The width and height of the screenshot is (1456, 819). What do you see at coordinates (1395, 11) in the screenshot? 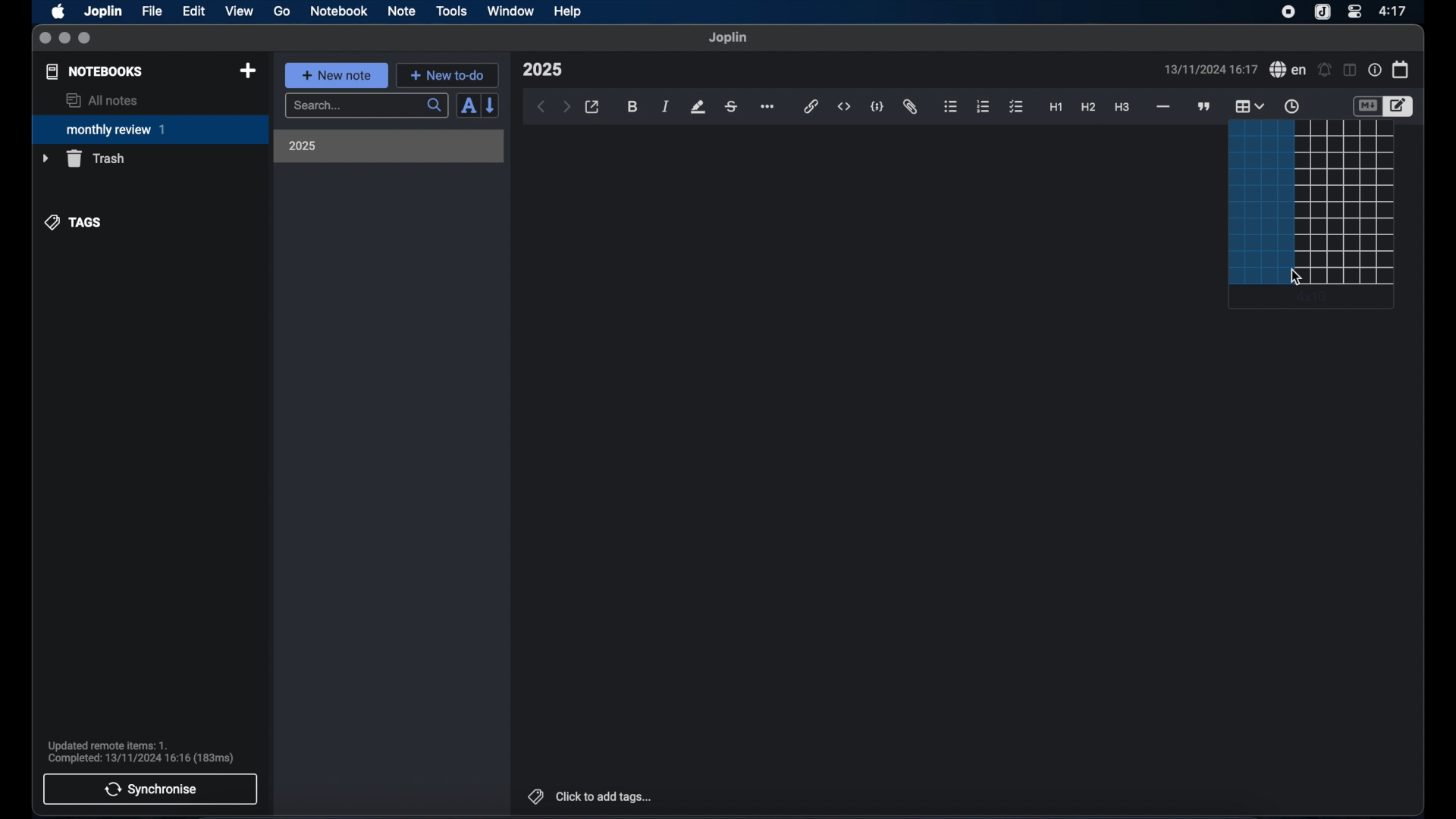
I see `time` at bounding box center [1395, 11].